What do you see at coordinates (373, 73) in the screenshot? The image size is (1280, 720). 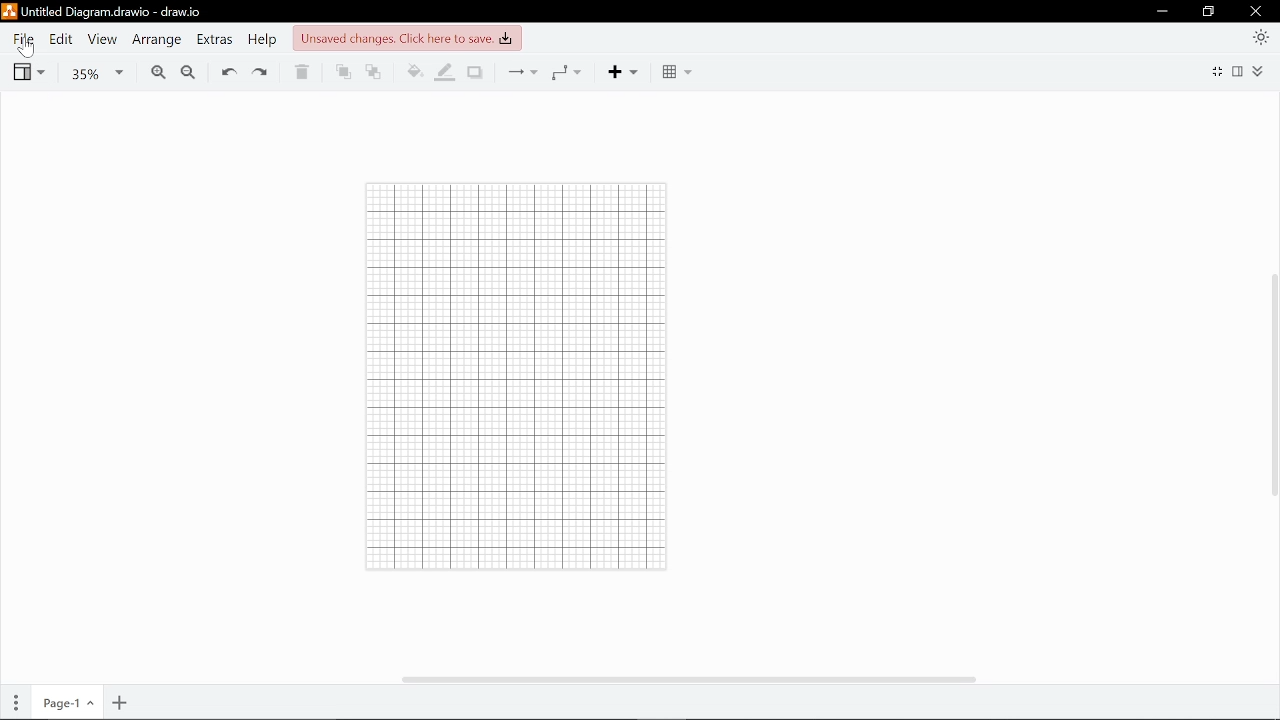 I see `To back` at bounding box center [373, 73].